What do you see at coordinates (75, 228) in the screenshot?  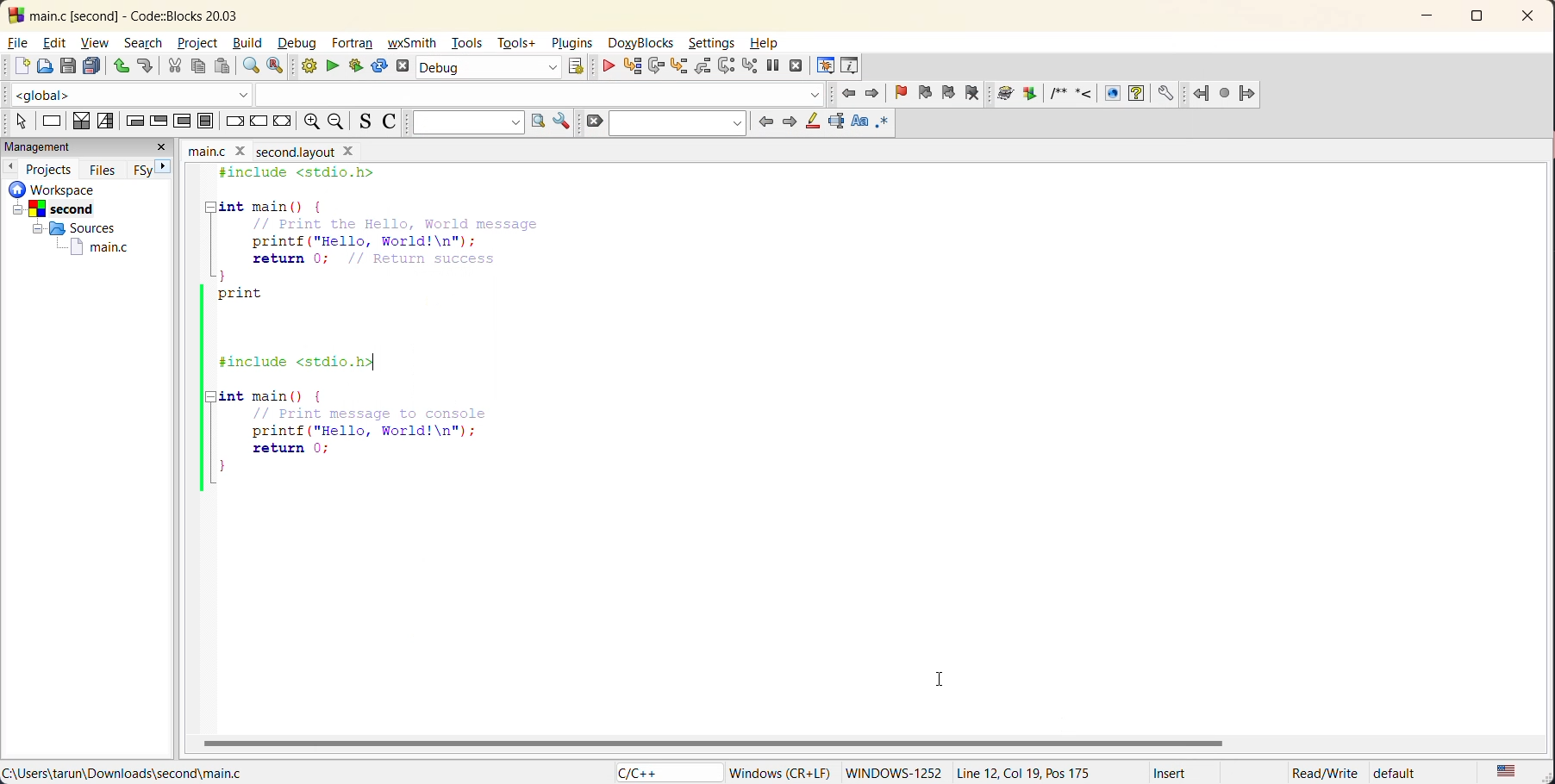 I see `Sources` at bounding box center [75, 228].